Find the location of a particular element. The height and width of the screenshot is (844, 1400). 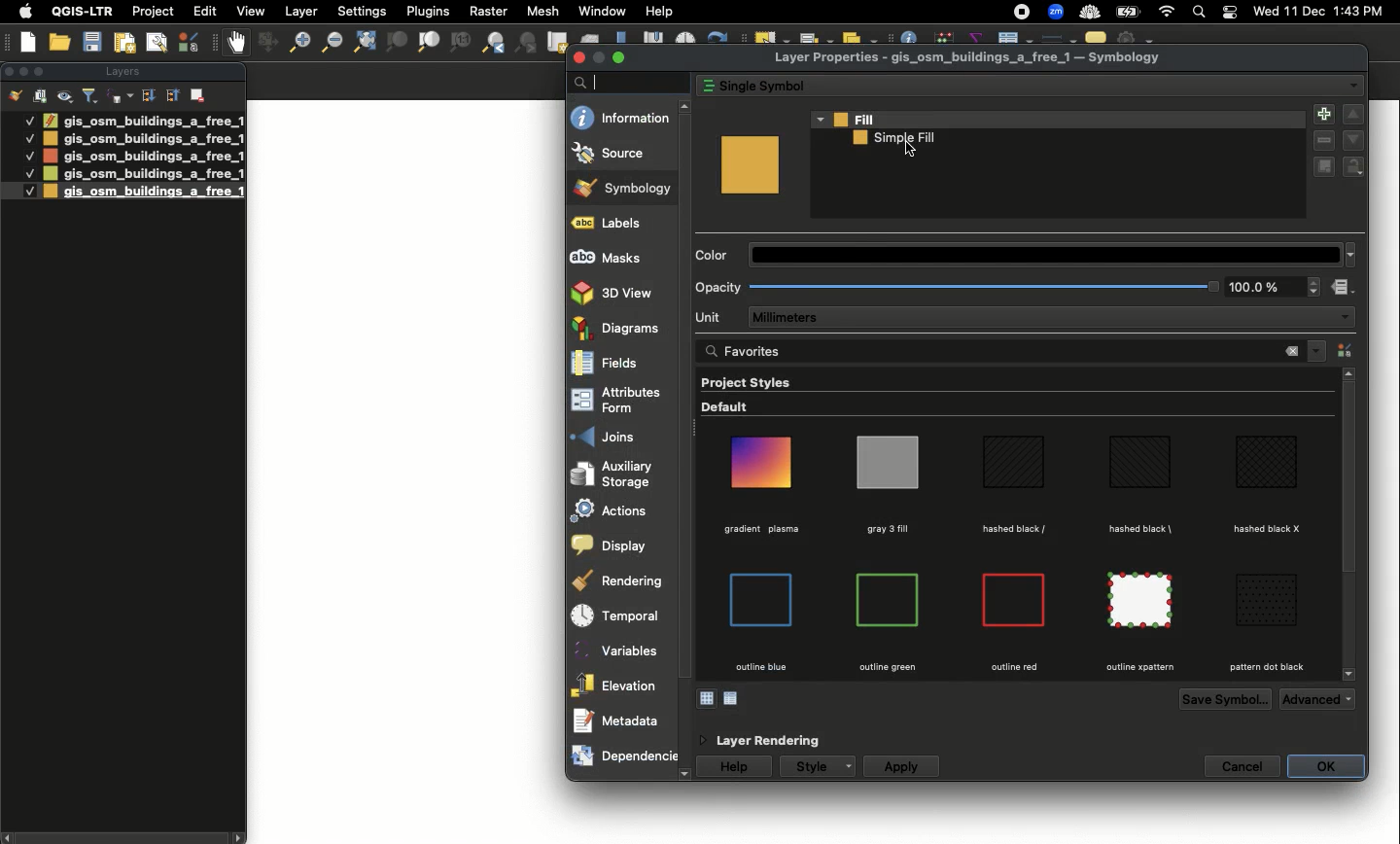

Data defined overide is located at coordinates (733, 697).